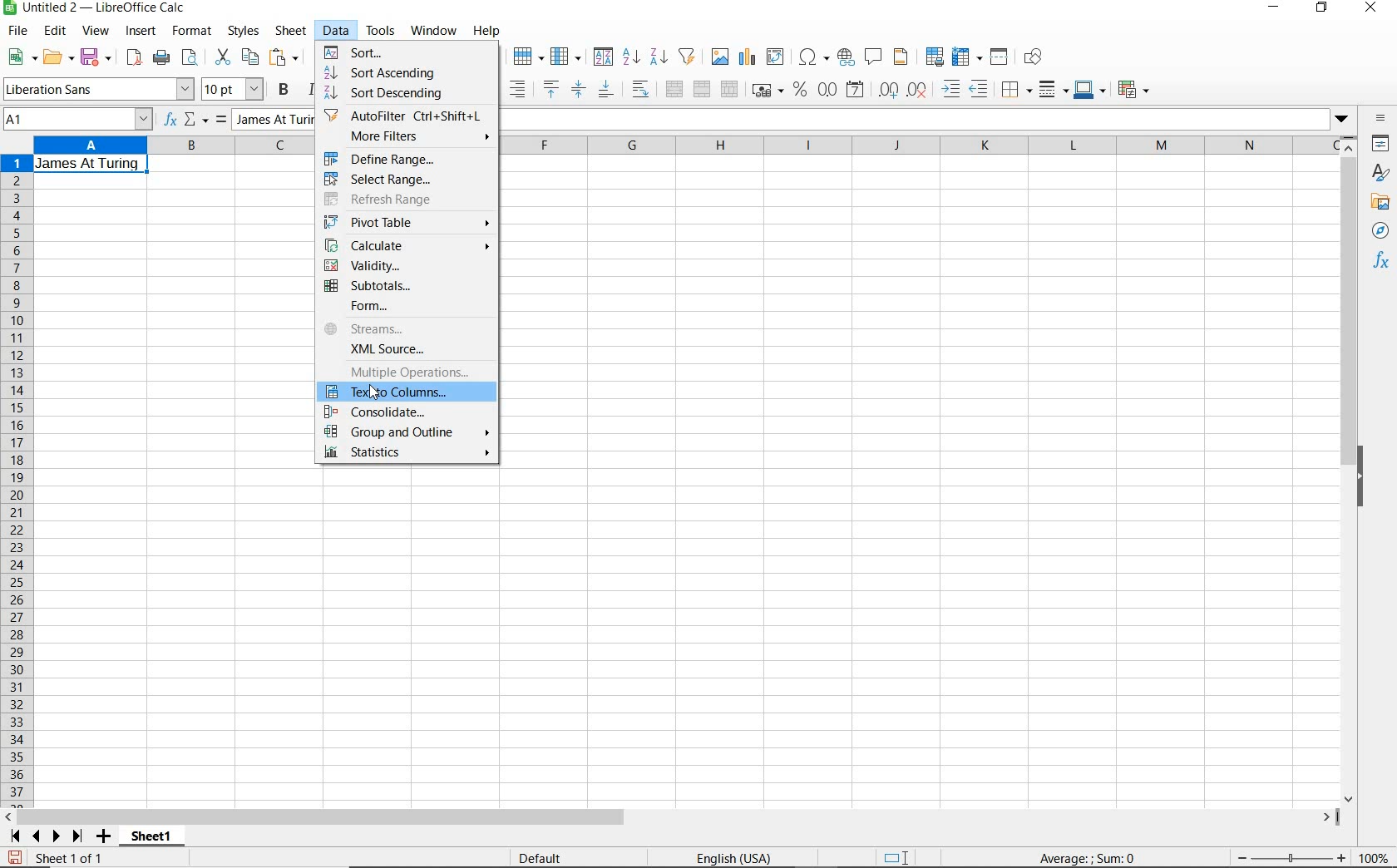 The height and width of the screenshot is (868, 1397). I want to click on save, so click(96, 57).